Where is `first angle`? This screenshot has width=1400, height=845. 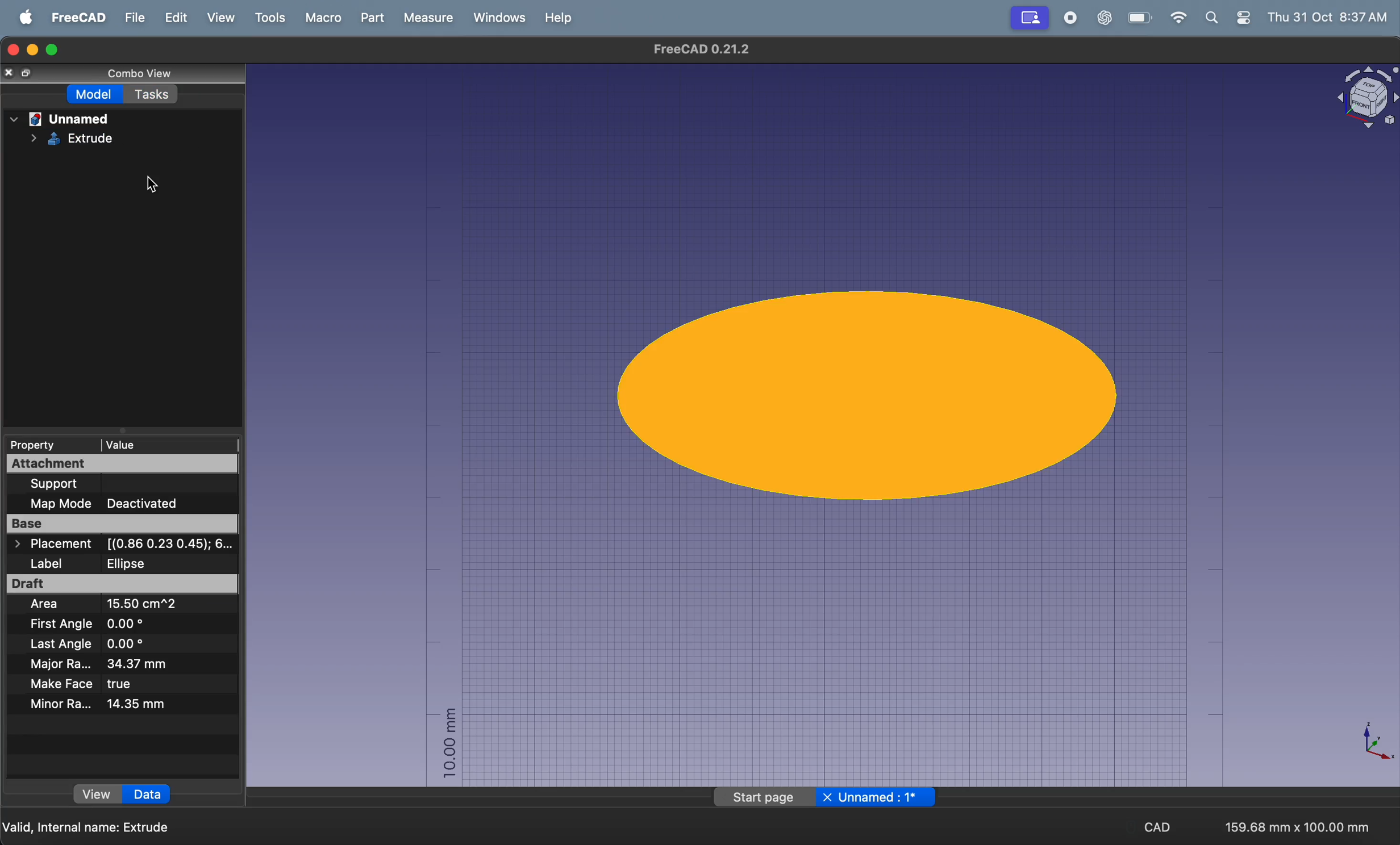
first angle is located at coordinates (107, 625).